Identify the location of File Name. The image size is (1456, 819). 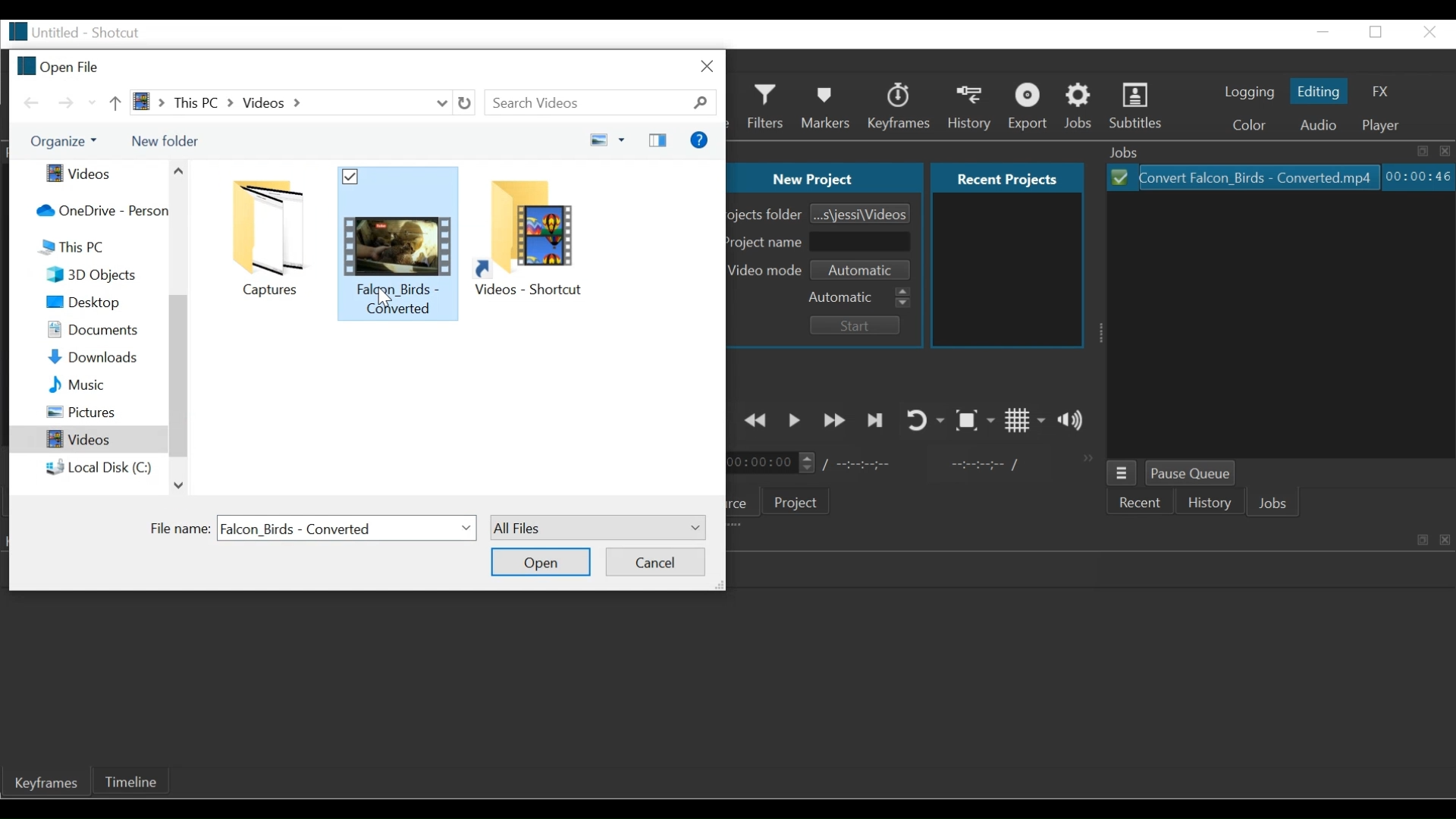
(176, 529).